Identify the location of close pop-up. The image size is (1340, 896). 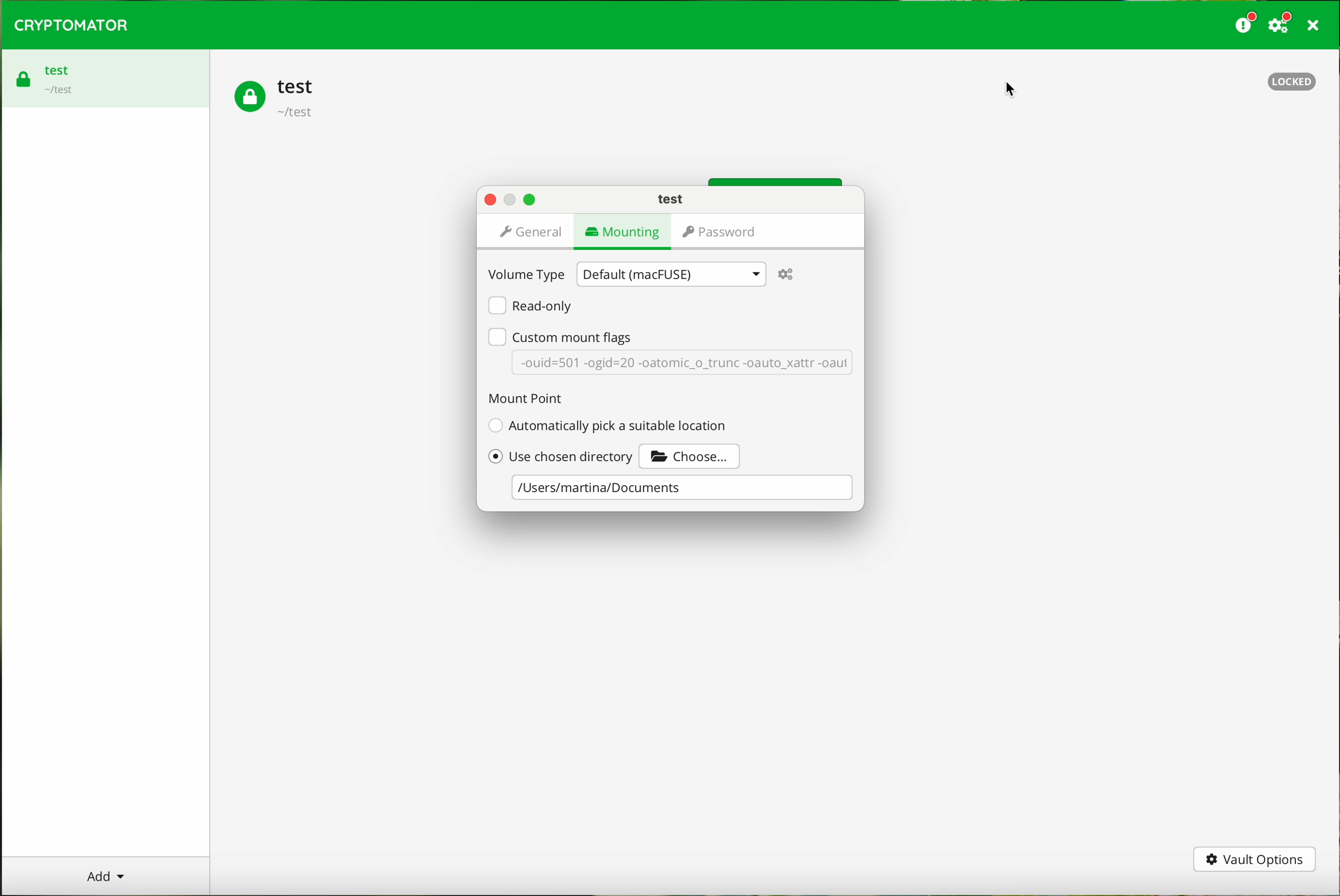
(490, 200).